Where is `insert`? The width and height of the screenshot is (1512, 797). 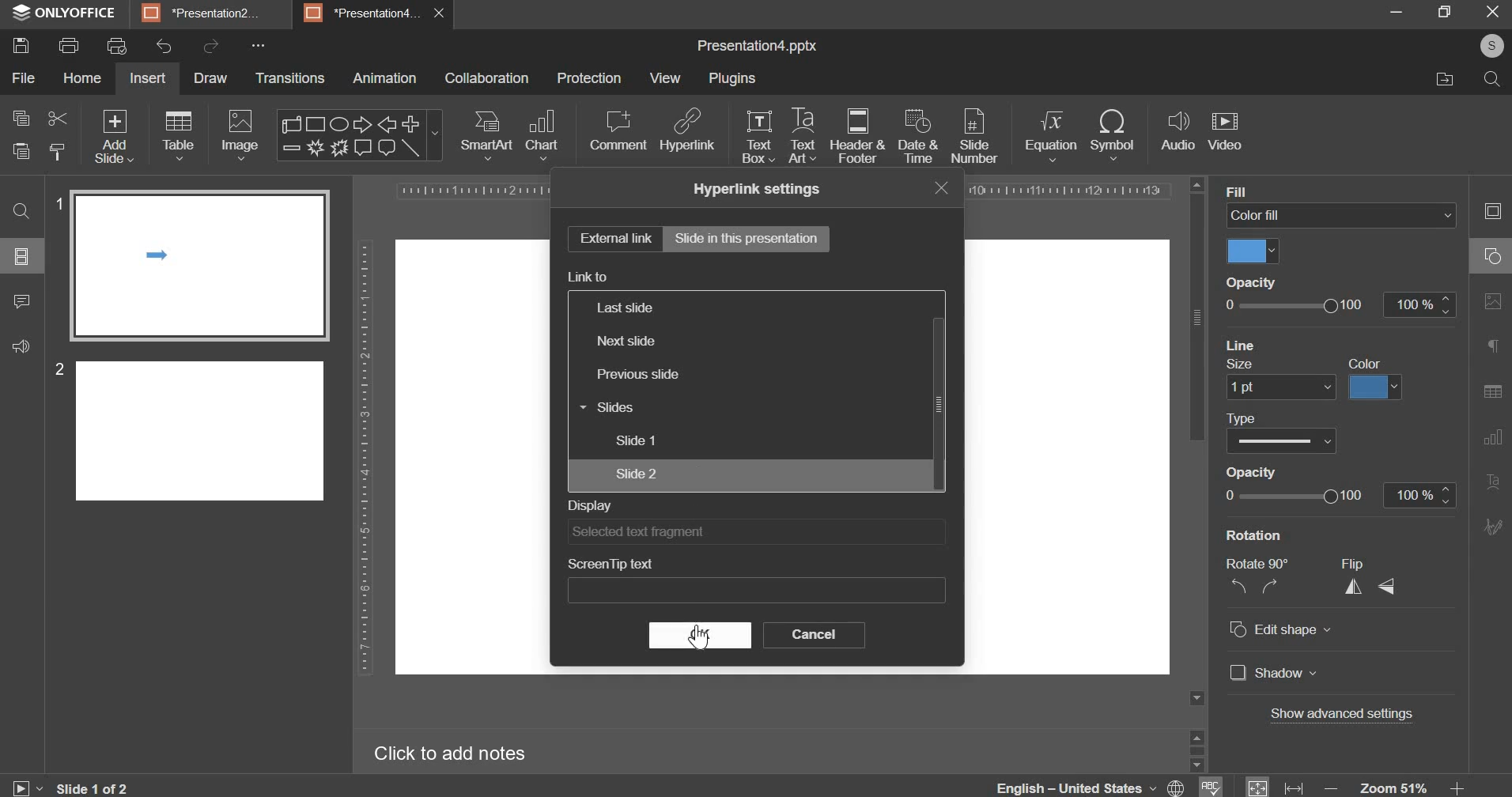 insert is located at coordinates (148, 78).